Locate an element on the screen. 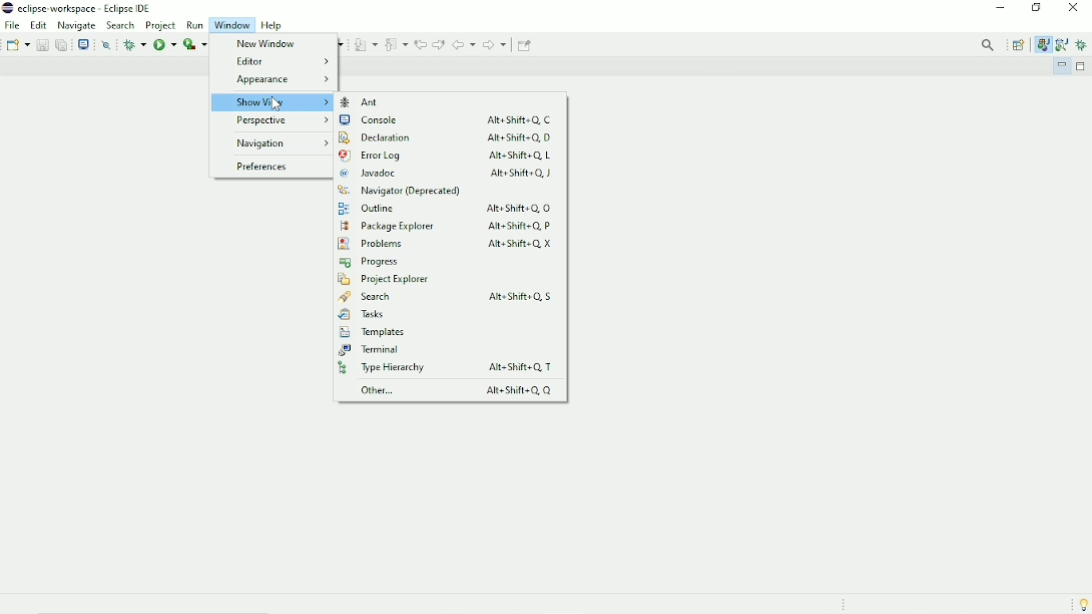 The height and width of the screenshot is (614, 1092). Javadoc is located at coordinates (447, 174).